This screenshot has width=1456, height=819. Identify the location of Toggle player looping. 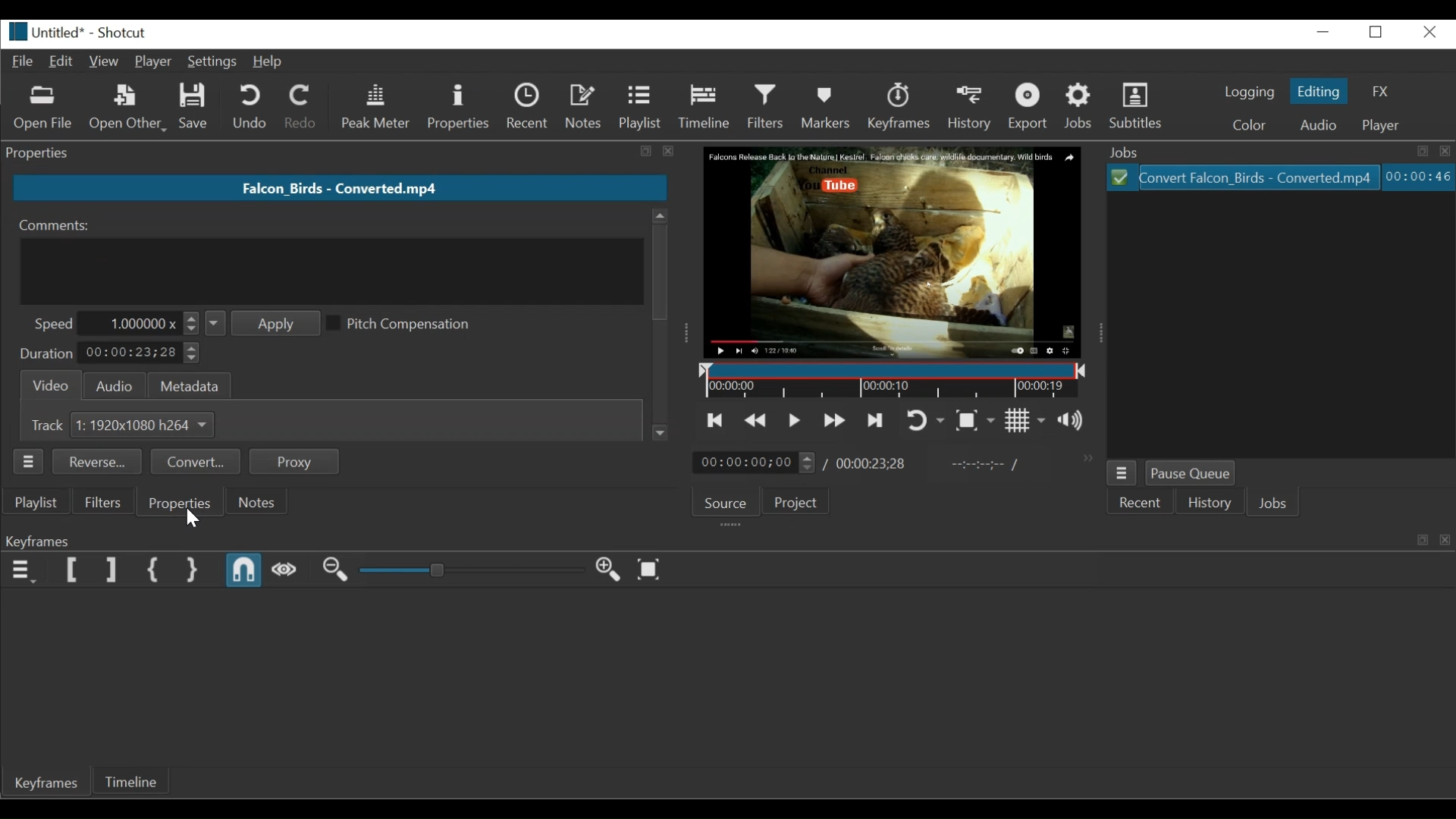
(922, 420).